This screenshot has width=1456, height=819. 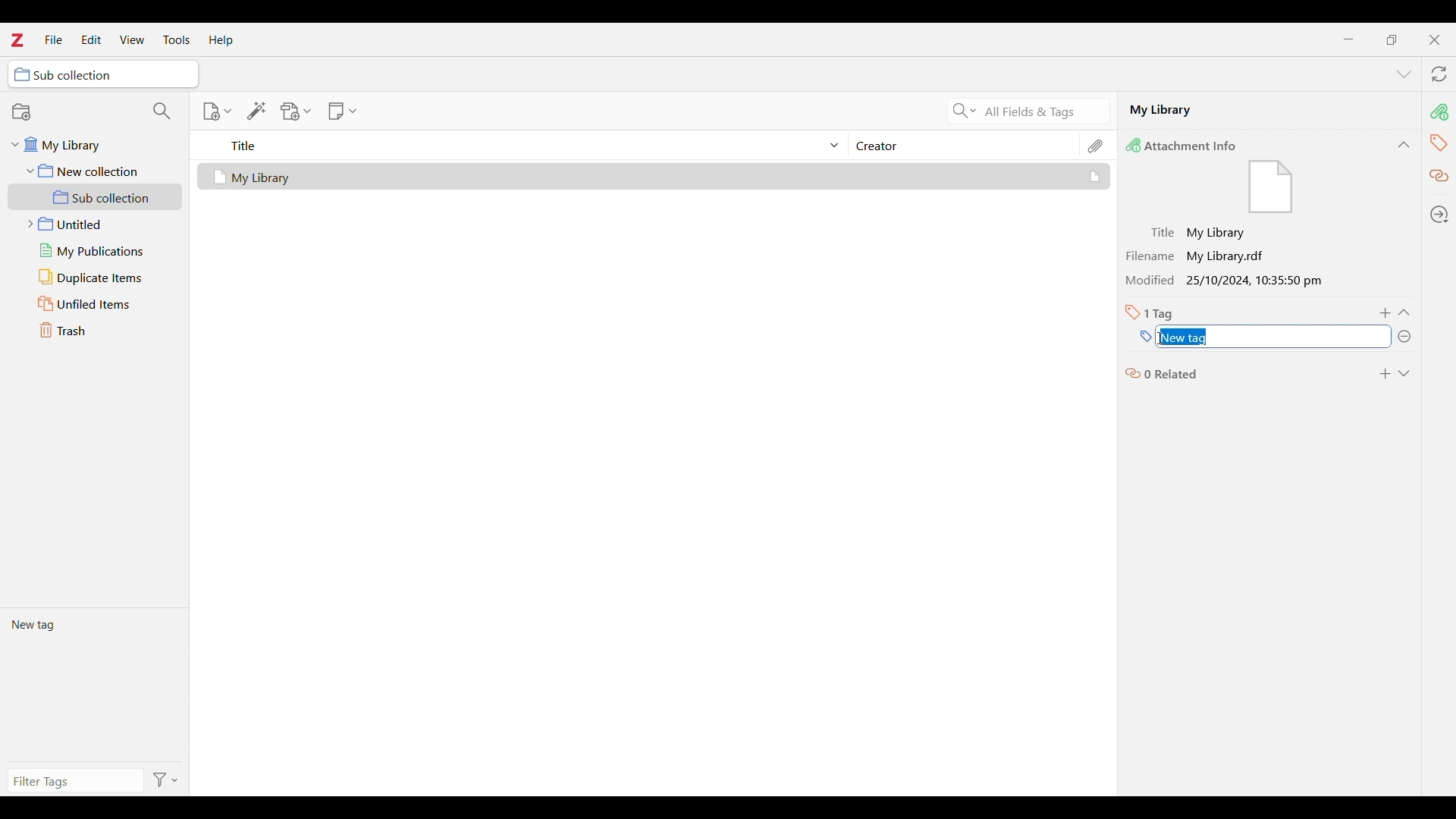 What do you see at coordinates (95, 303) in the screenshot?
I see `Unfiled items folder` at bounding box center [95, 303].